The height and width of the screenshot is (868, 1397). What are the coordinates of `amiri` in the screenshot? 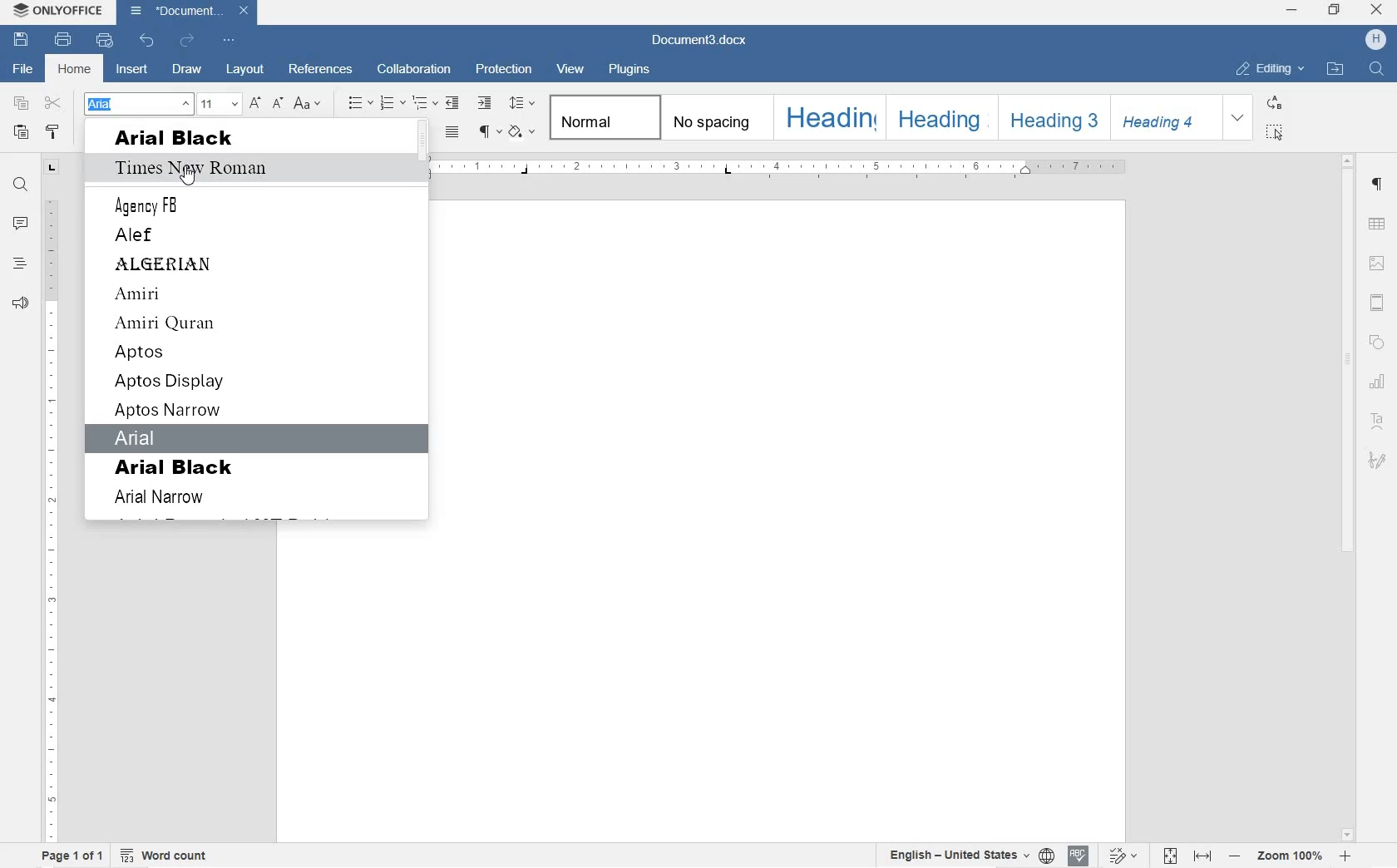 It's located at (158, 293).